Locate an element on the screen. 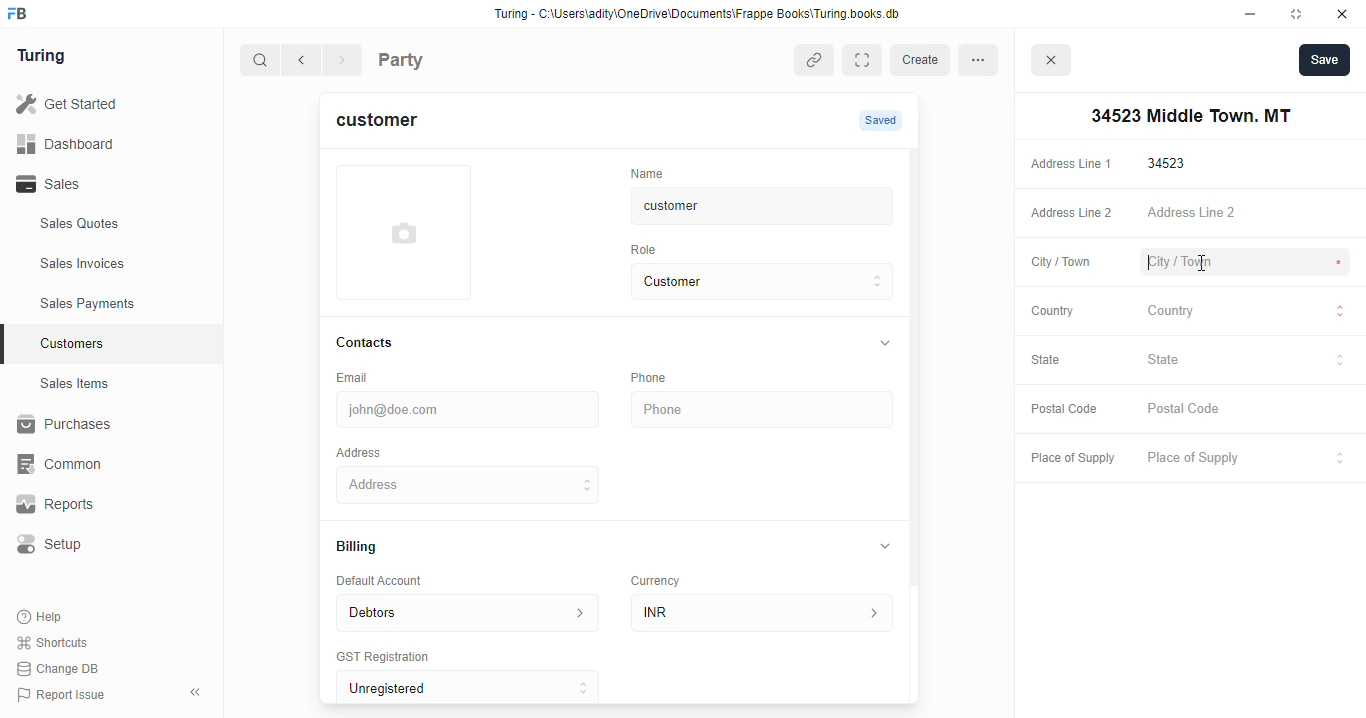  Expand is located at coordinates (866, 60).